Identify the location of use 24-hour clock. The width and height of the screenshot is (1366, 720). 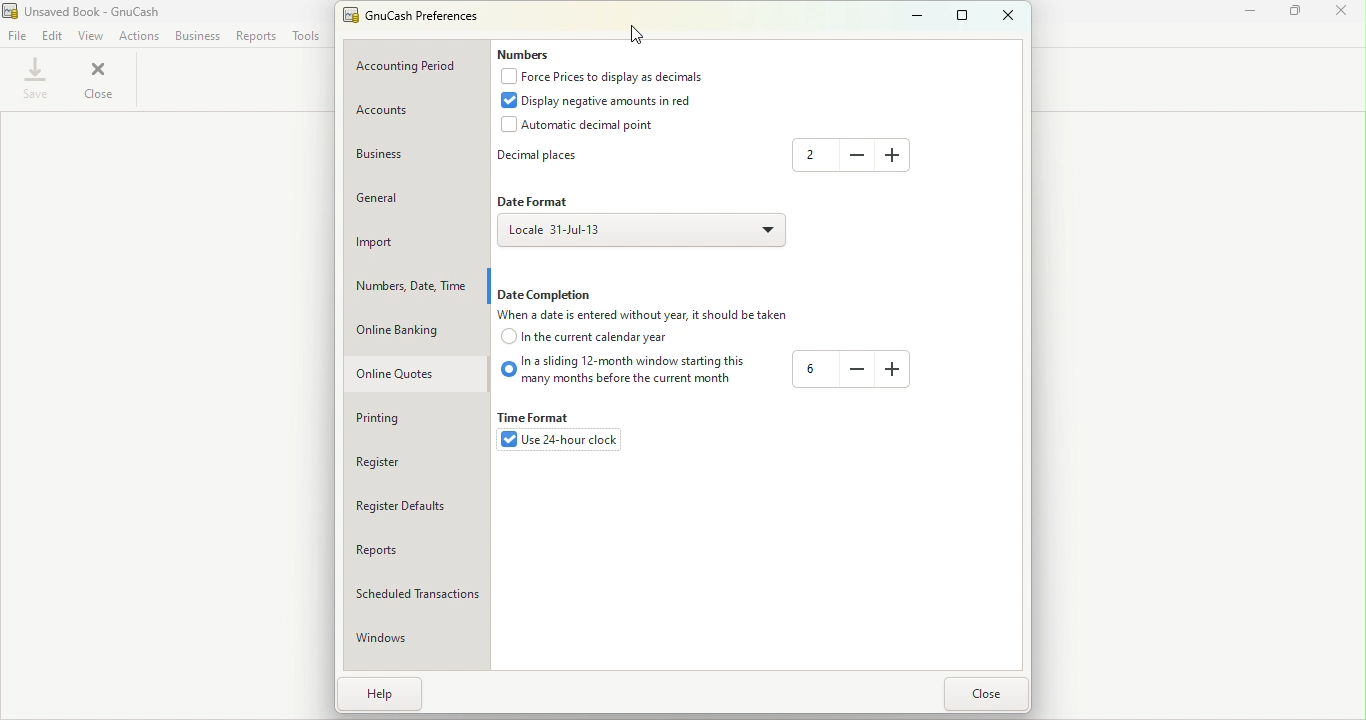
(563, 441).